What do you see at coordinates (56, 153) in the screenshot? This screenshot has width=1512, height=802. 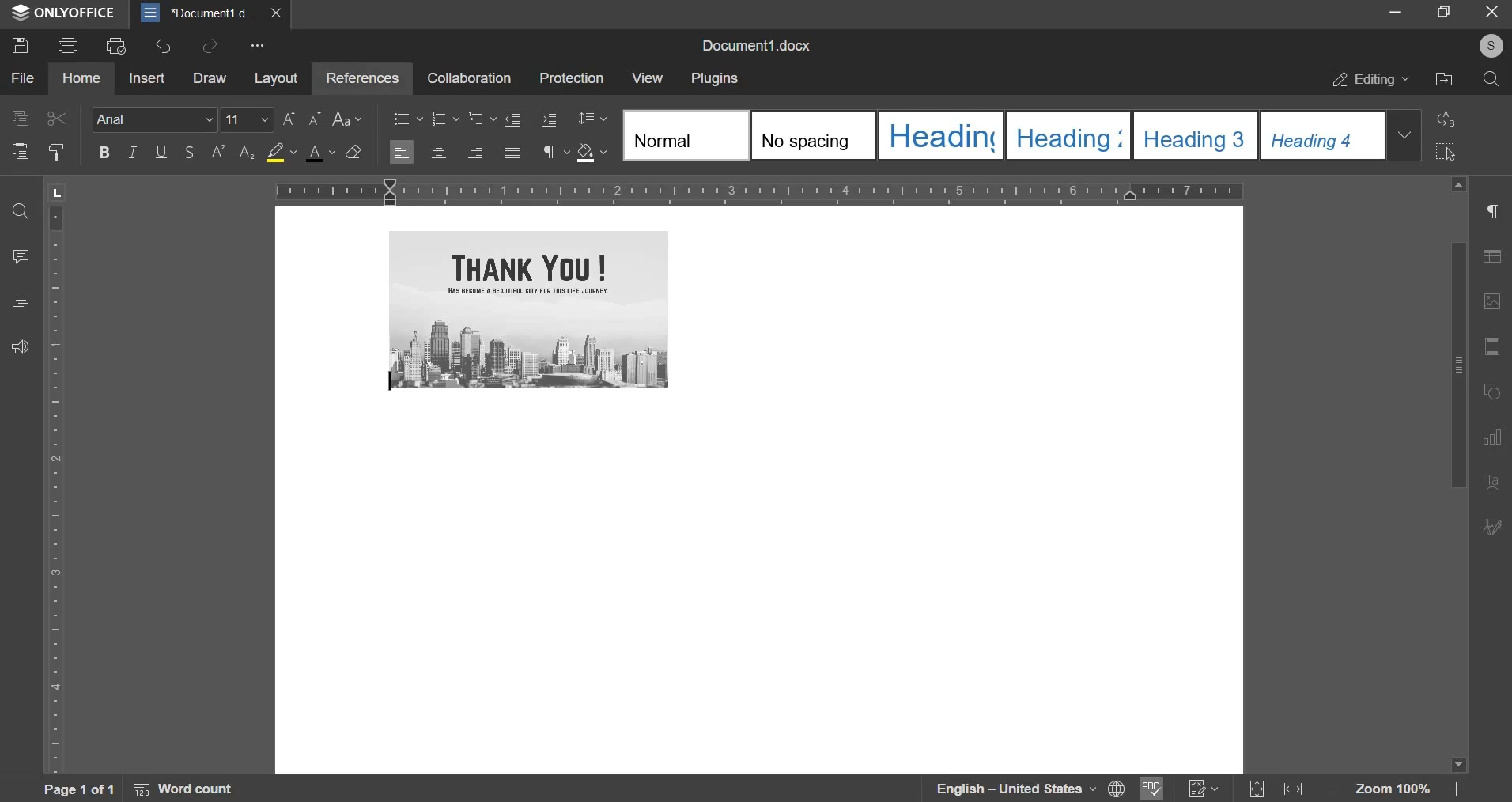 I see `clear style` at bounding box center [56, 153].